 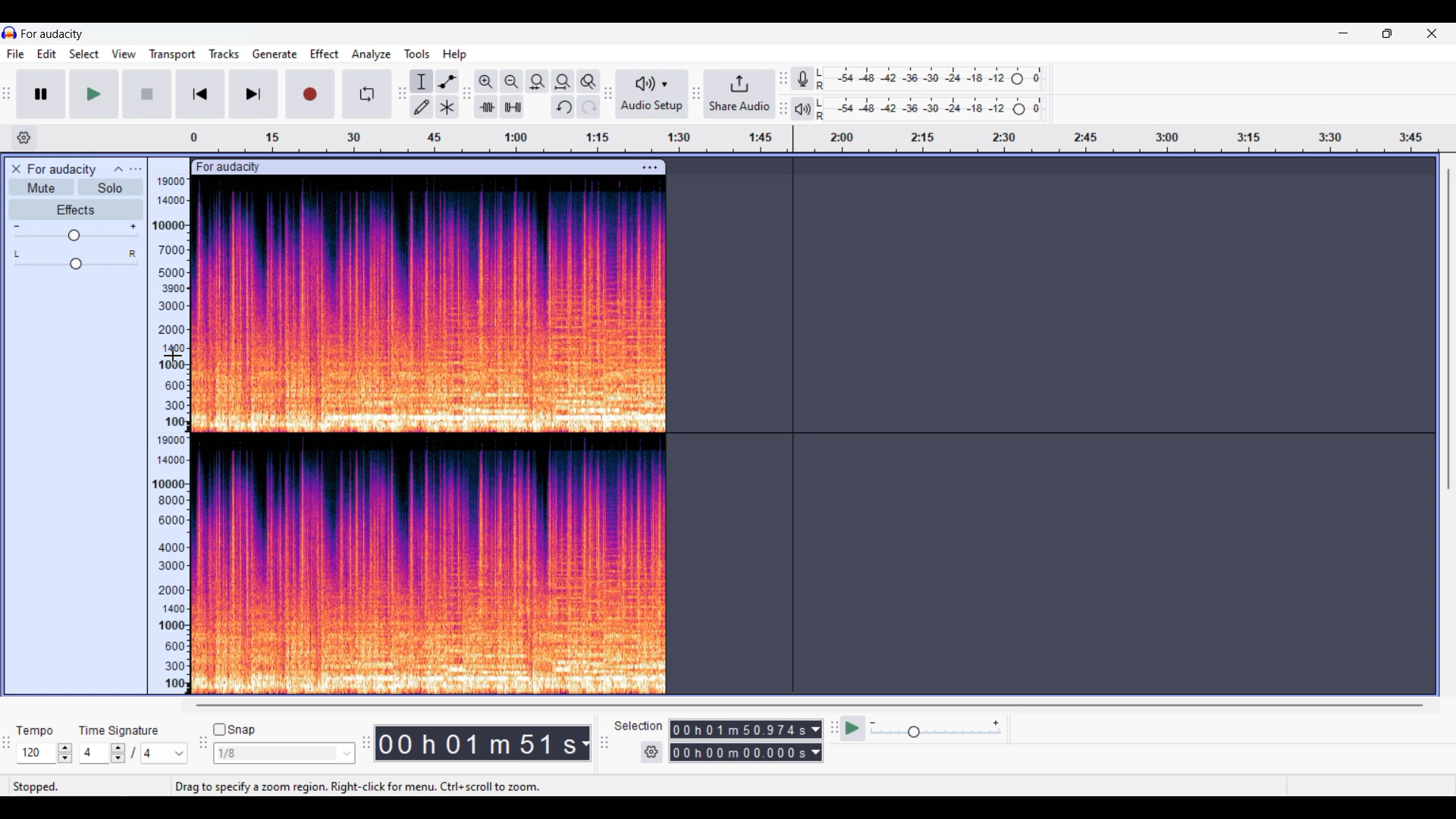 What do you see at coordinates (275, 54) in the screenshot?
I see `Generate menu` at bounding box center [275, 54].